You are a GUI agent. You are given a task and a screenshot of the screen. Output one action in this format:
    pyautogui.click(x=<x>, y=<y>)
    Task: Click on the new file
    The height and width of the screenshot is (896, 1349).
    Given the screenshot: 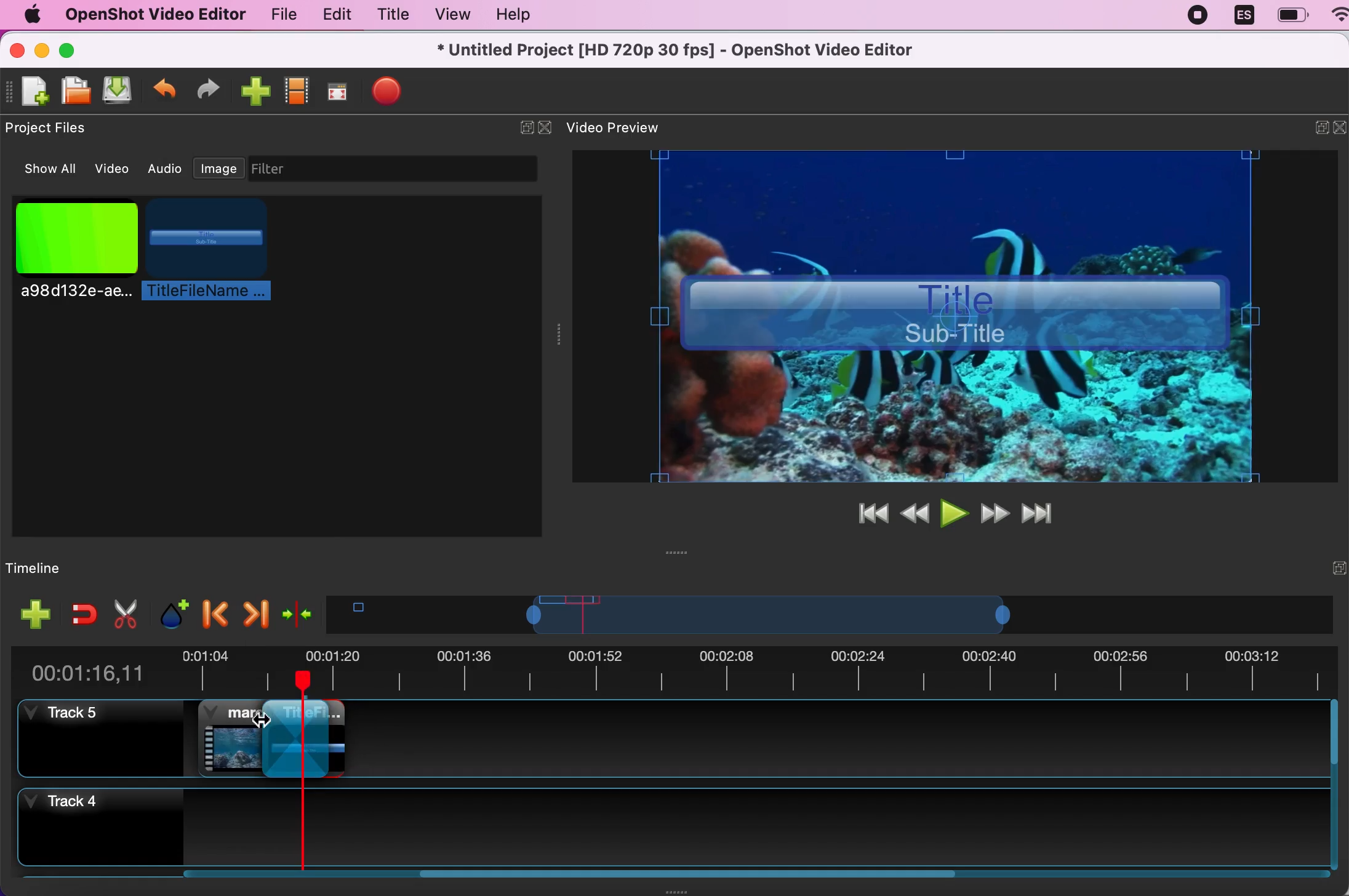 What is the action you would take?
    pyautogui.click(x=30, y=92)
    